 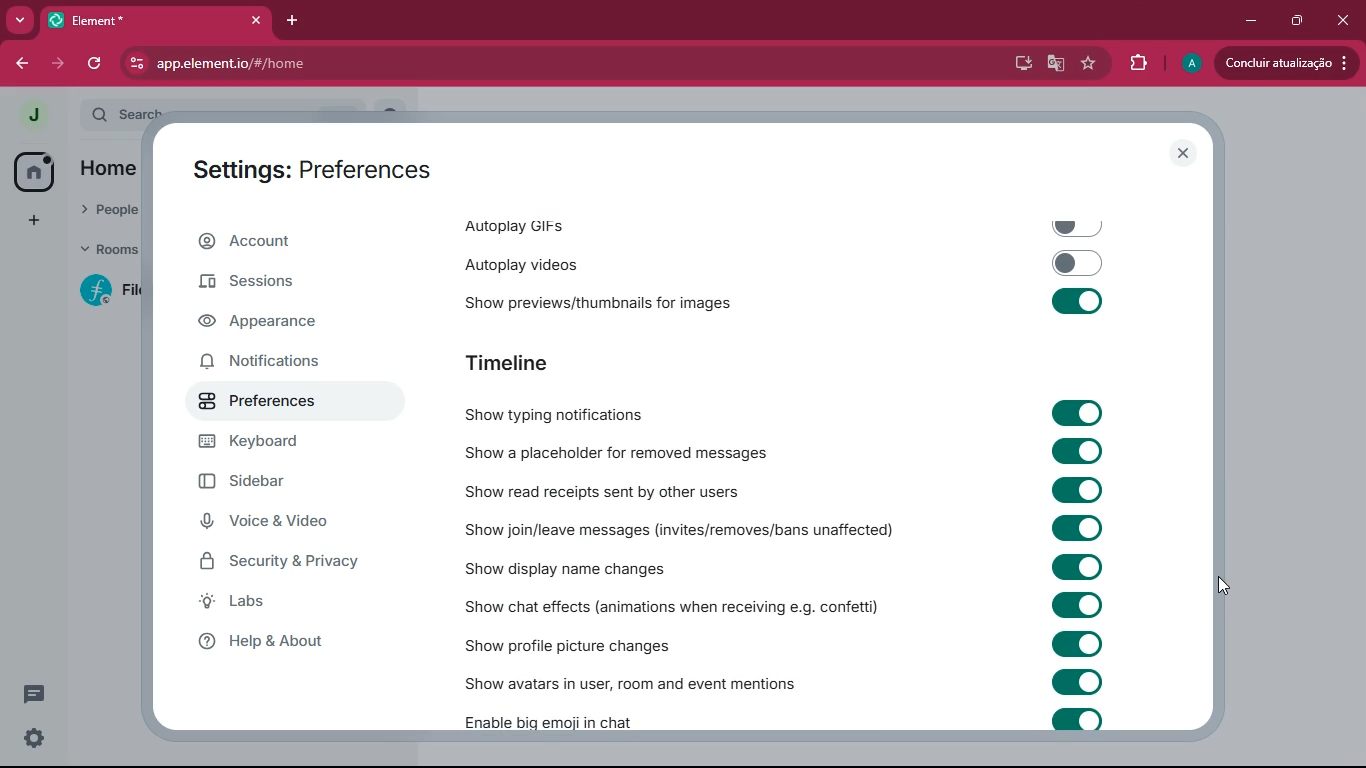 What do you see at coordinates (272, 287) in the screenshot?
I see `sessions` at bounding box center [272, 287].